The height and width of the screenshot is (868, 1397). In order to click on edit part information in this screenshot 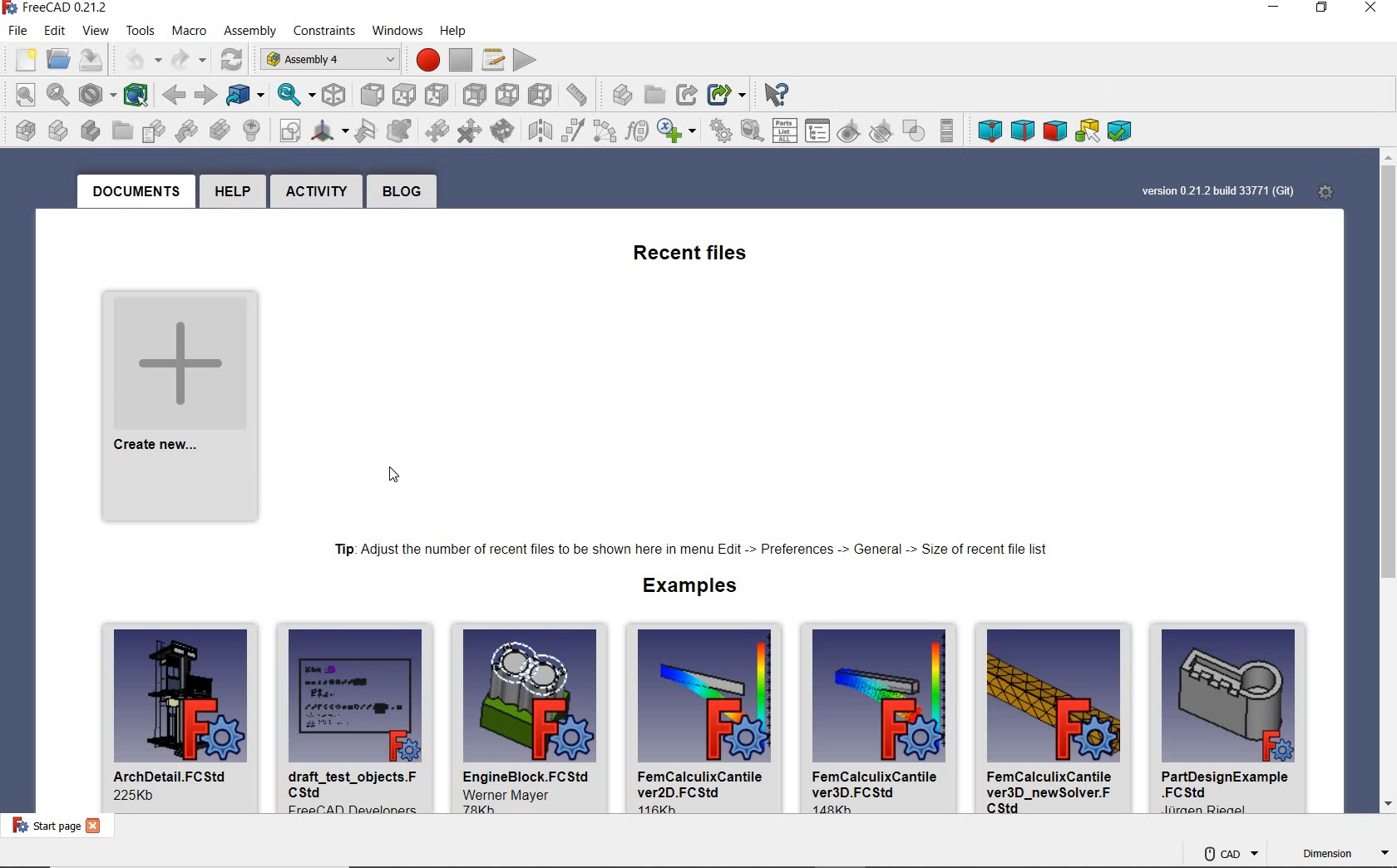, I will do `click(151, 131)`.